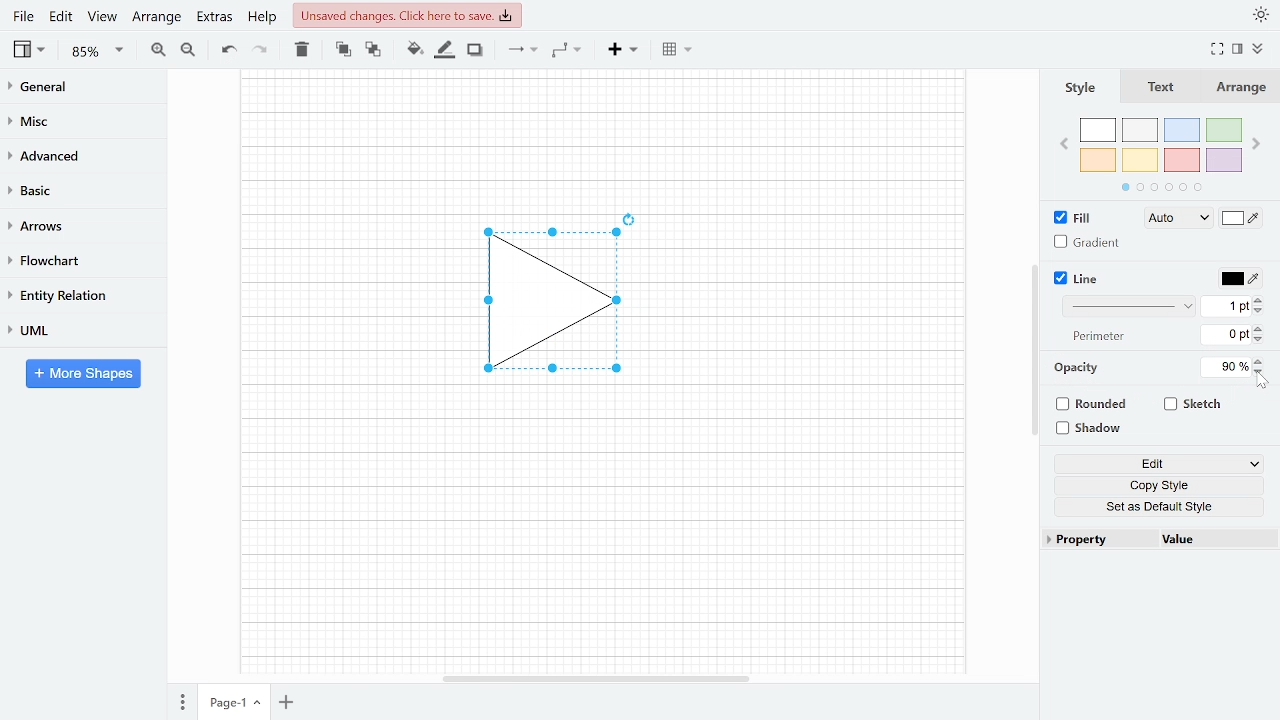 The image size is (1280, 720). What do you see at coordinates (190, 49) in the screenshot?
I see `Zoom out` at bounding box center [190, 49].